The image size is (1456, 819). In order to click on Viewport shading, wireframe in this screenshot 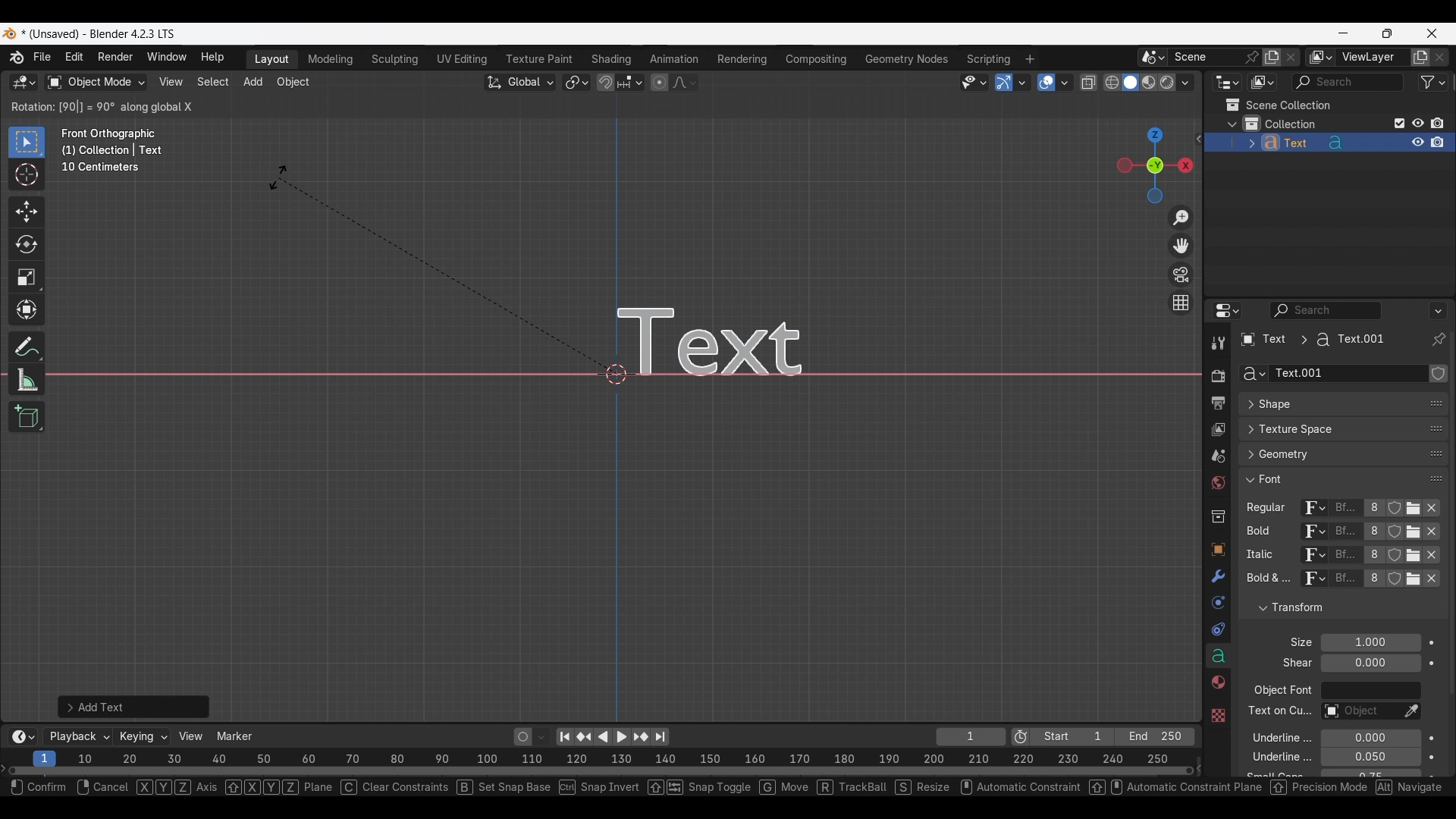, I will do `click(1112, 83)`.